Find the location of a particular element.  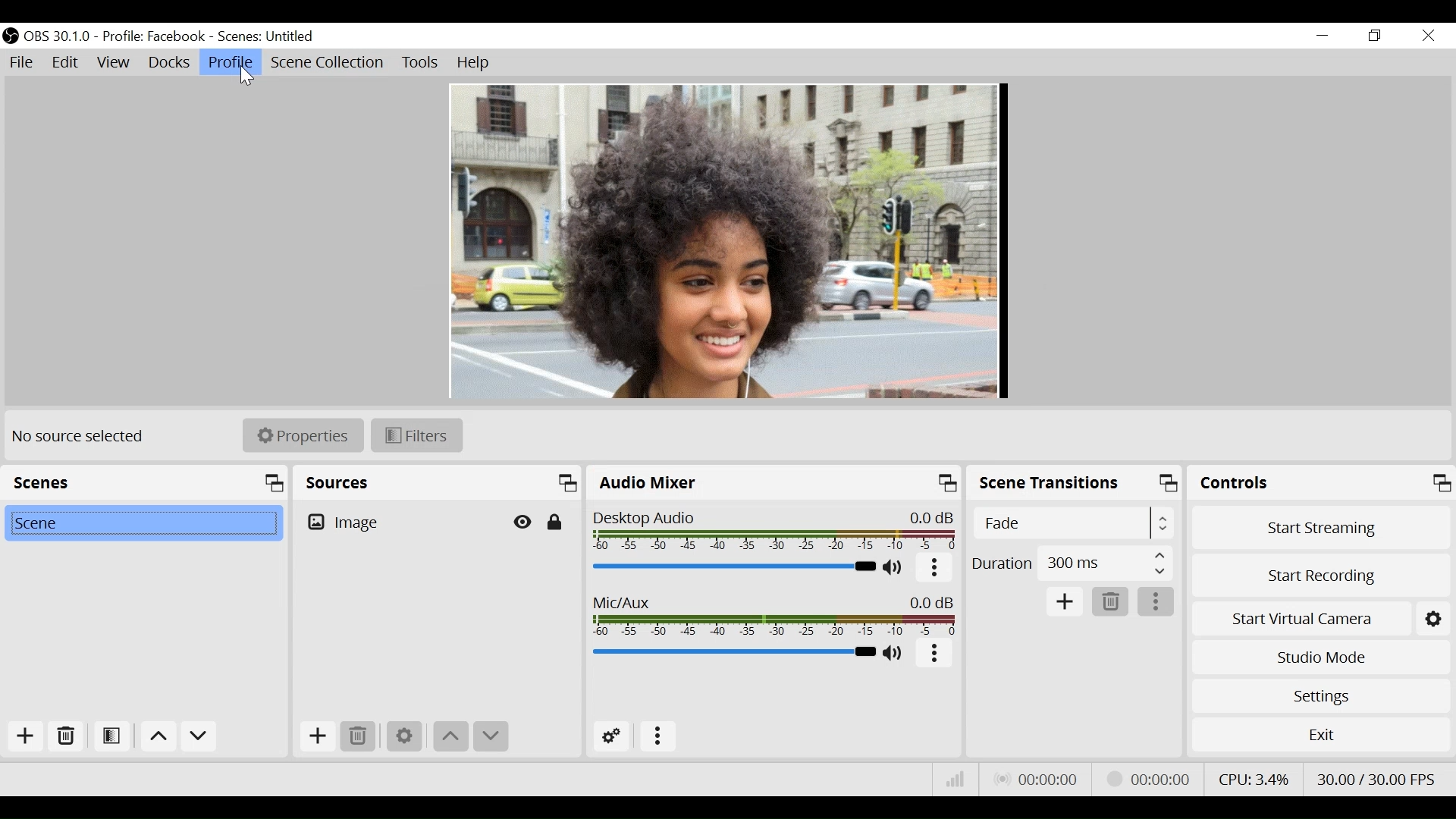

Desktop Audio Slider is located at coordinates (734, 567).